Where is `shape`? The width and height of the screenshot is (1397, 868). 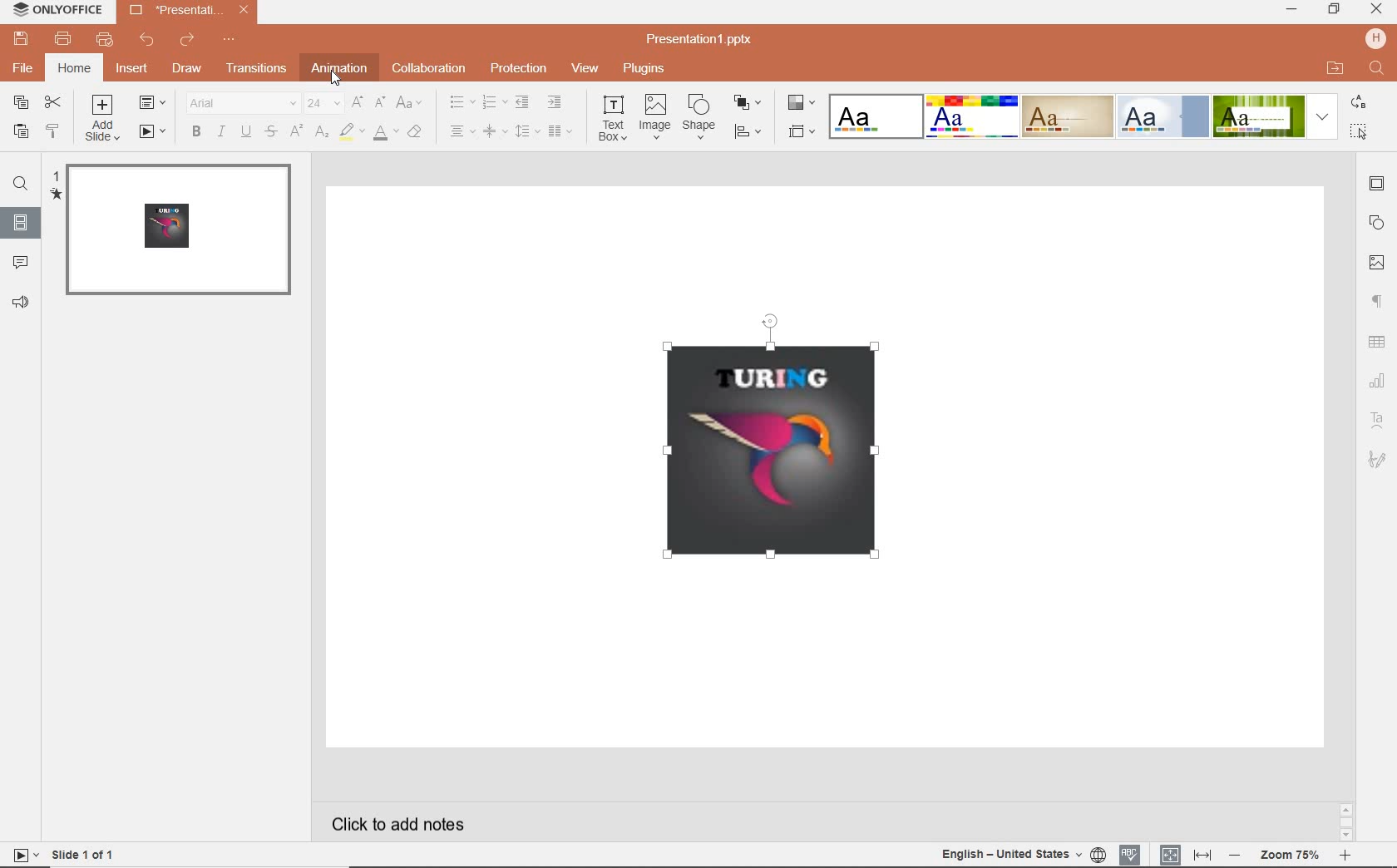
shape is located at coordinates (1377, 223).